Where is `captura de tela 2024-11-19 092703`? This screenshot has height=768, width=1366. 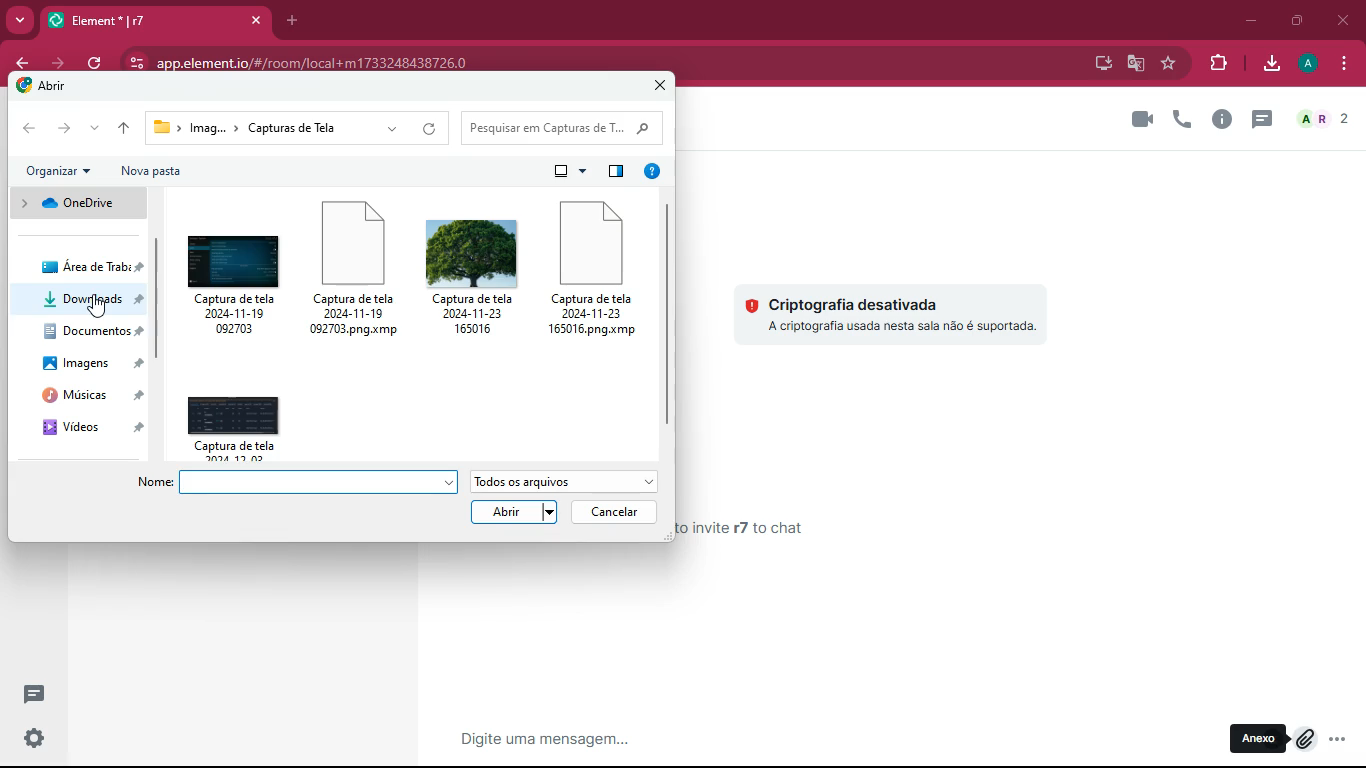 captura de tela 2024-11-19 092703 is located at coordinates (235, 276).